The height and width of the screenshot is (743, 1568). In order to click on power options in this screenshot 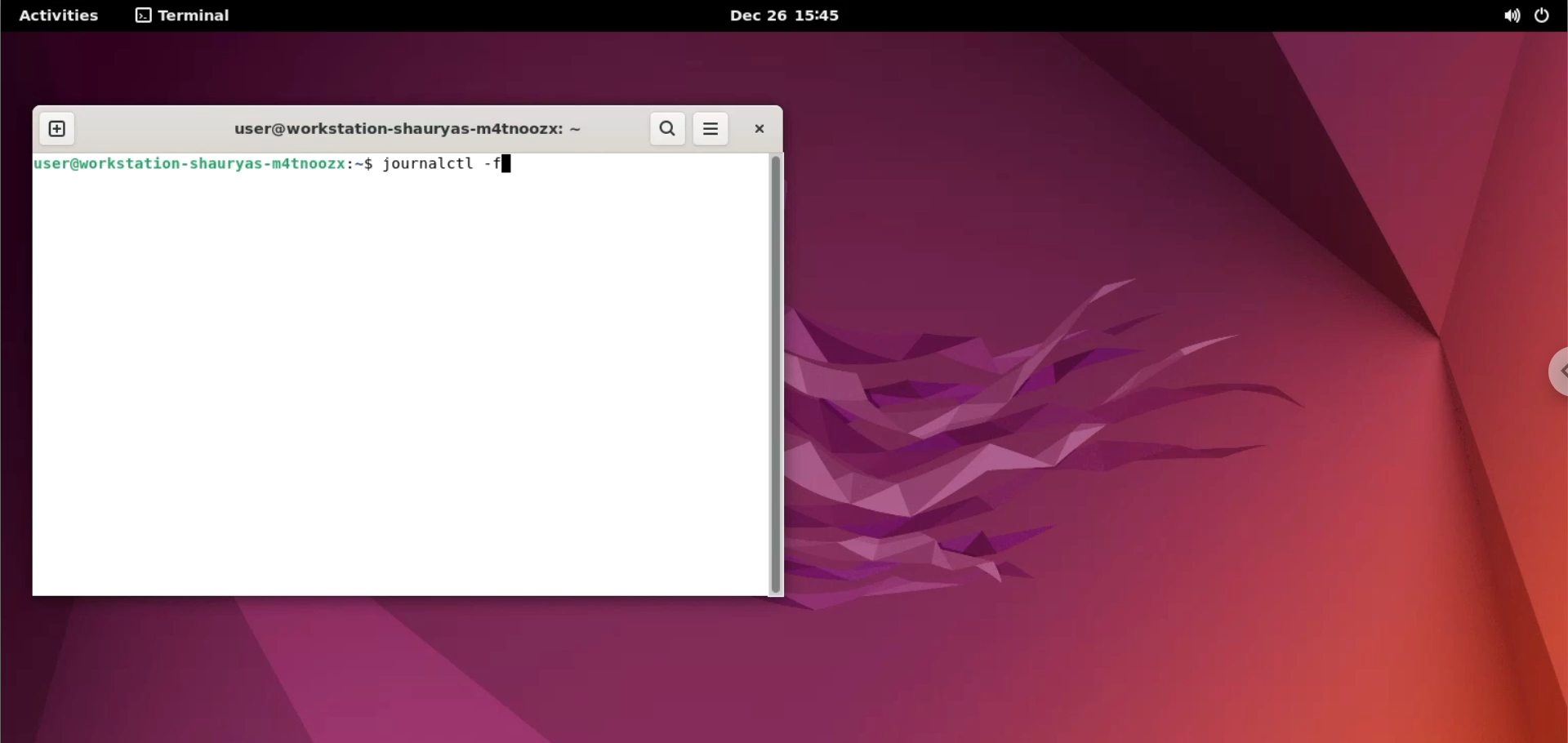, I will do `click(1545, 16)`.